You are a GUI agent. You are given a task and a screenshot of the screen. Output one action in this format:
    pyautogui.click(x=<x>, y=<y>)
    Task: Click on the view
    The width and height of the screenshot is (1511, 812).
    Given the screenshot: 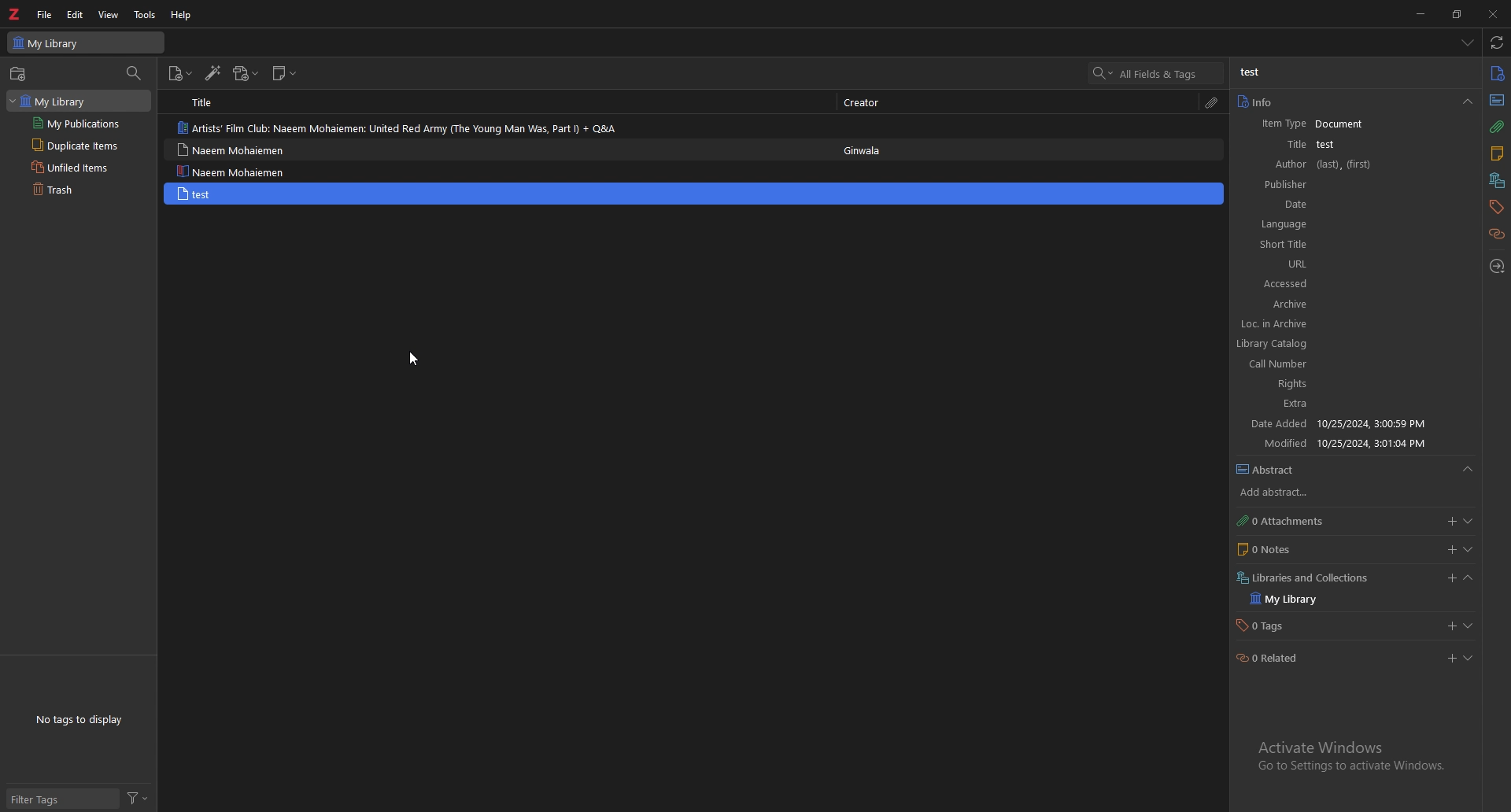 What is the action you would take?
    pyautogui.click(x=109, y=14)
    